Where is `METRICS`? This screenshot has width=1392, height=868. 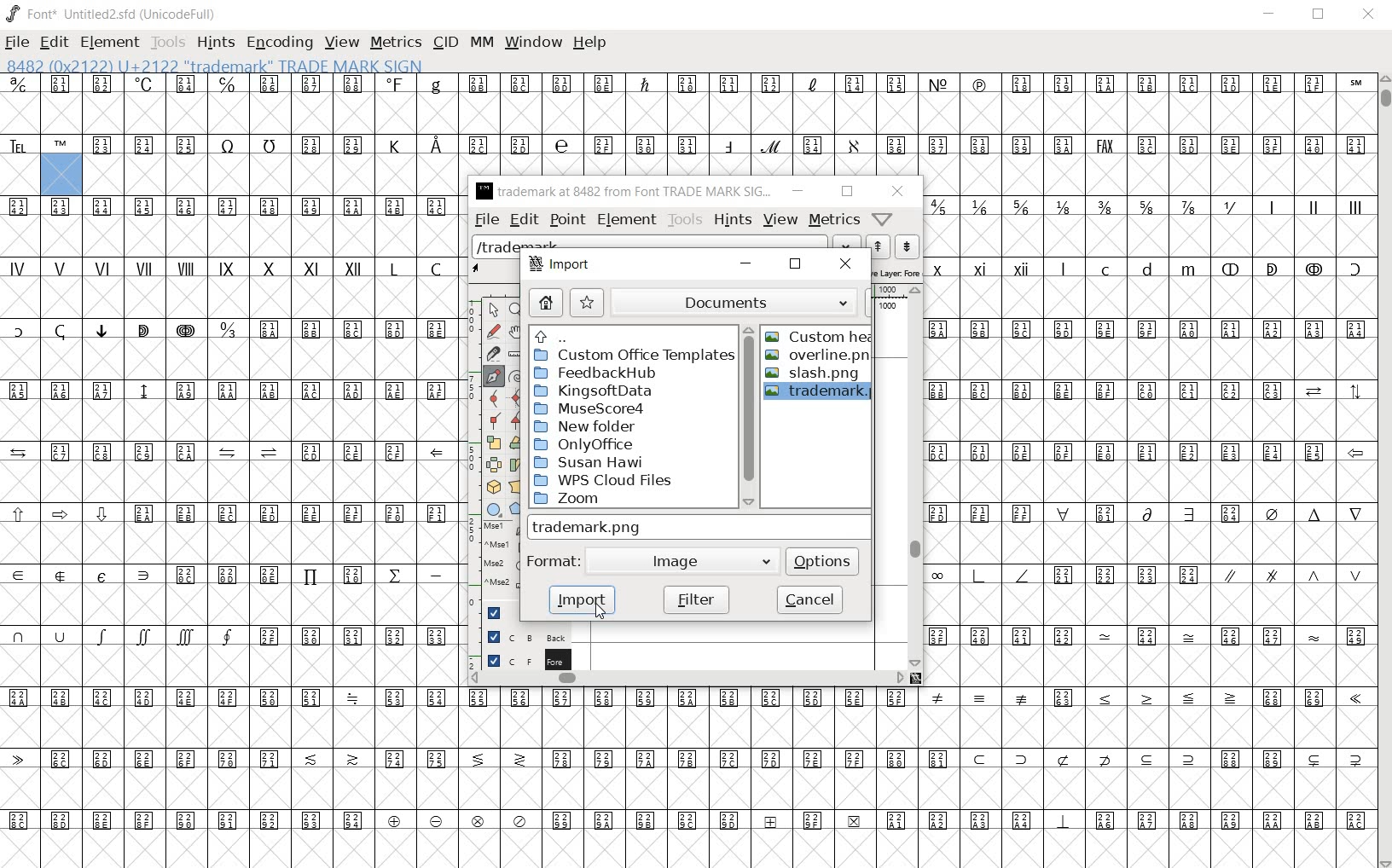 METRICS is located at coordinates (395, 44).